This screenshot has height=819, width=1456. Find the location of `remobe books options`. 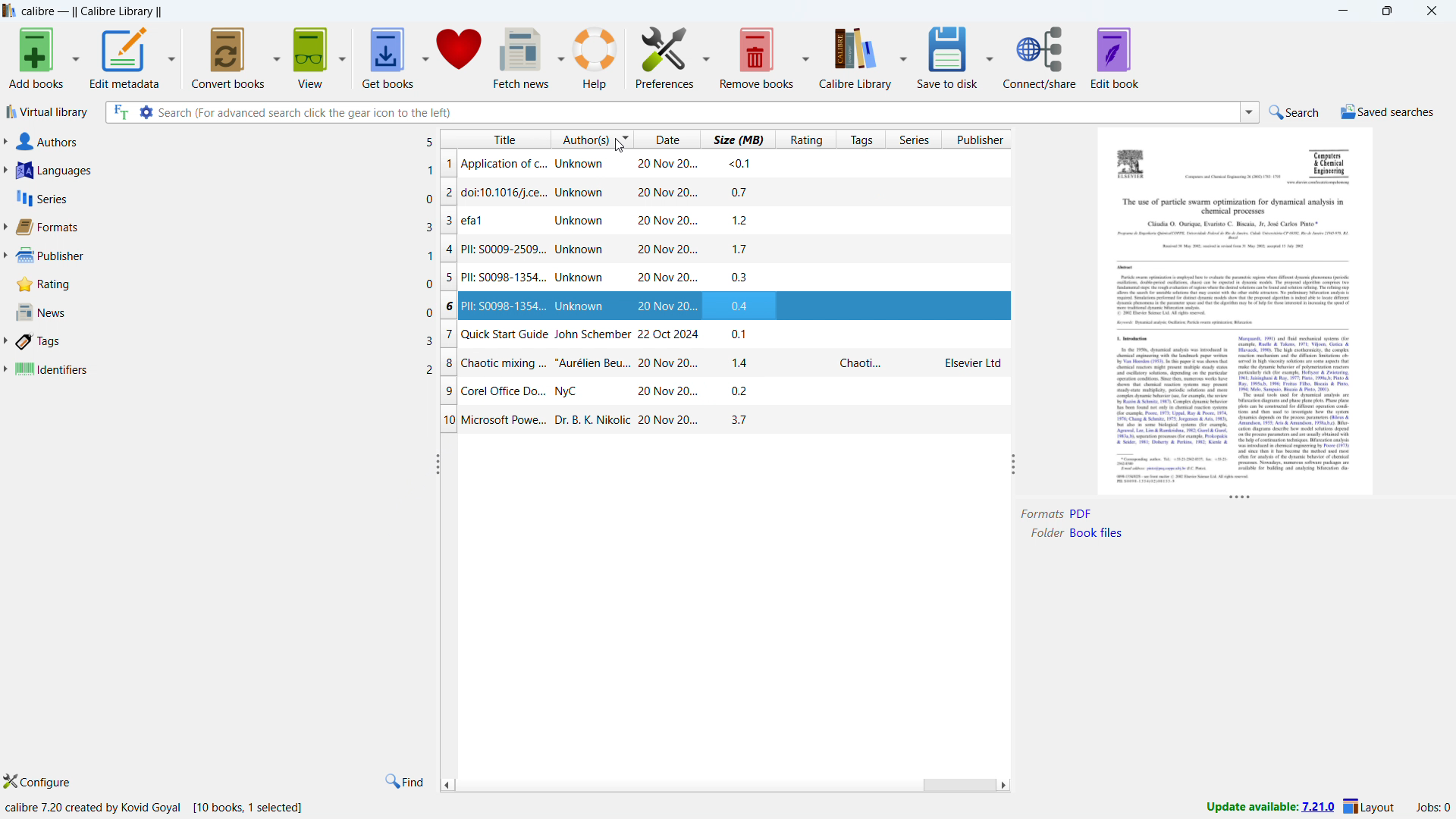

remobe books options is located at coordinates (805, 55).